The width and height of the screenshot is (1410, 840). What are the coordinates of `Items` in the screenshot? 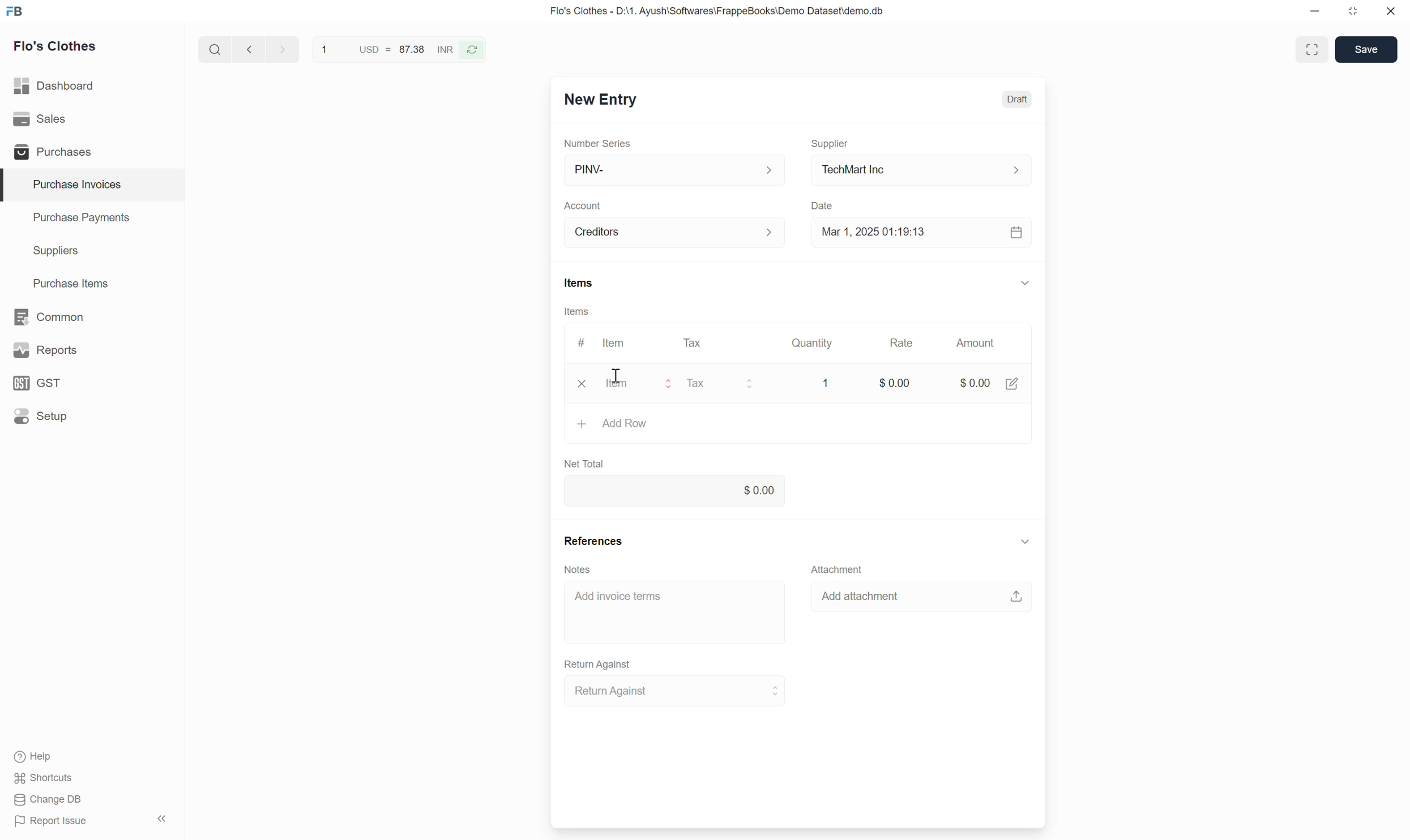 It's located at (576, 311).